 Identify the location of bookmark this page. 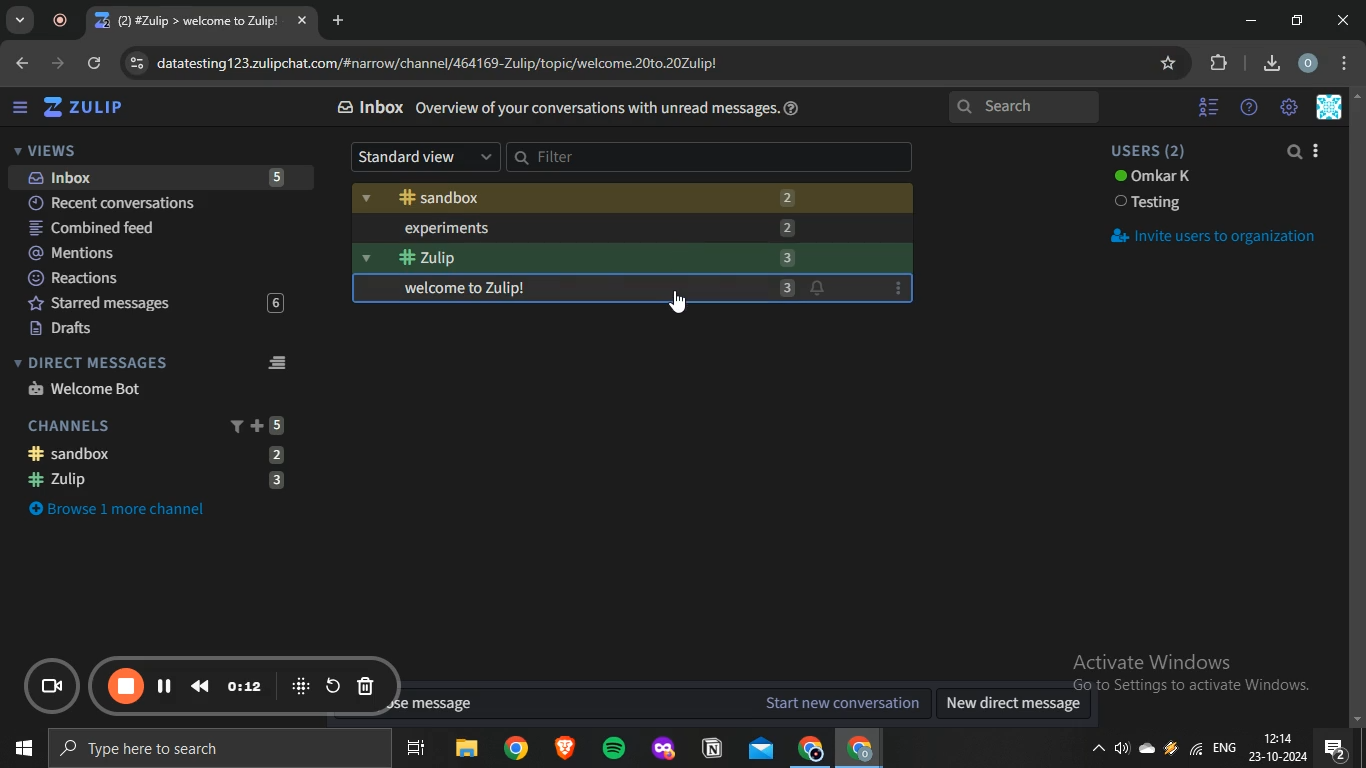
(1170, 63).